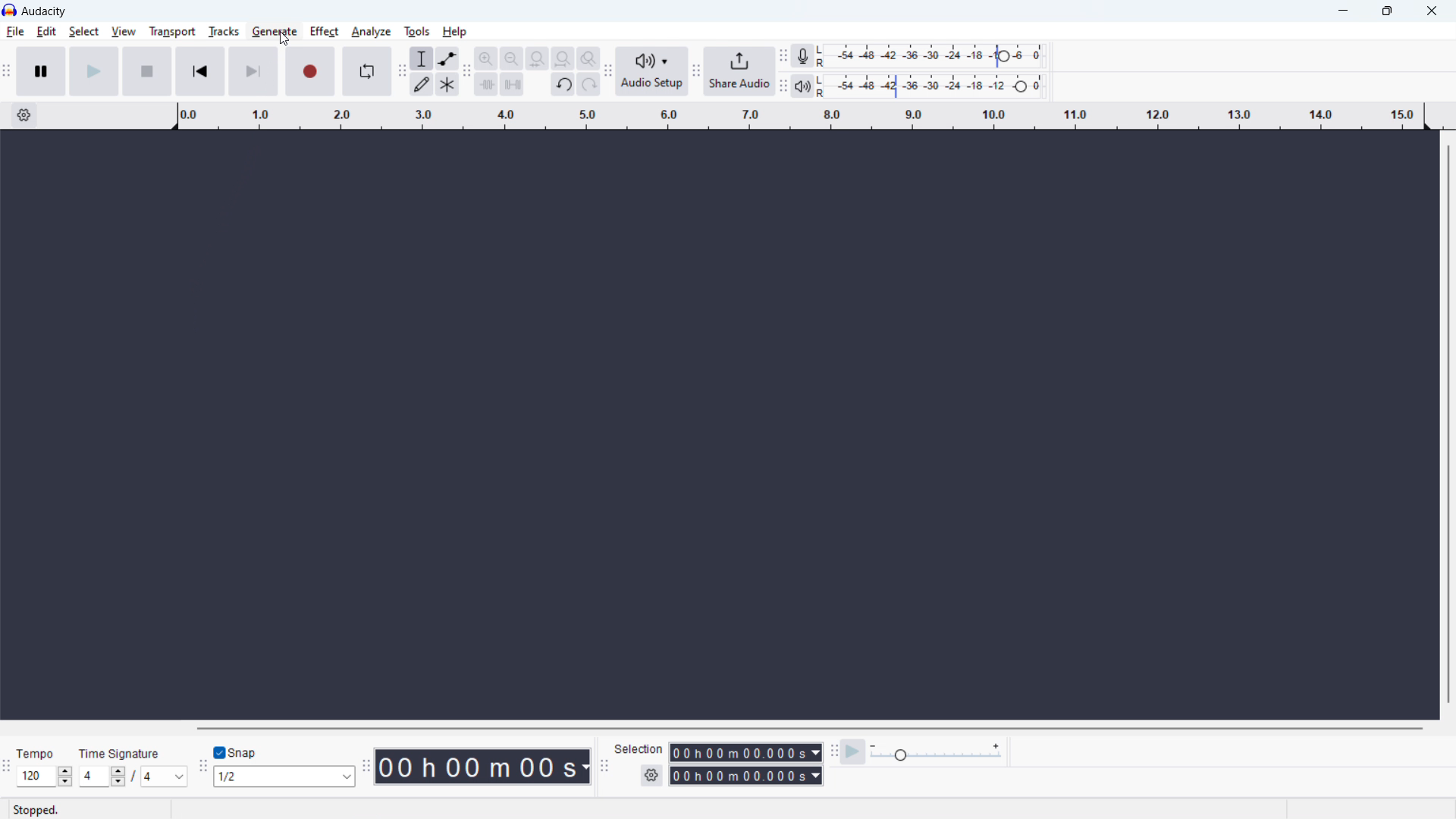 The width and height of the screenshot is (1456, 819). Describe the element at coordinates (285, 777) in the screenshot. I see `select snapping` at that location.